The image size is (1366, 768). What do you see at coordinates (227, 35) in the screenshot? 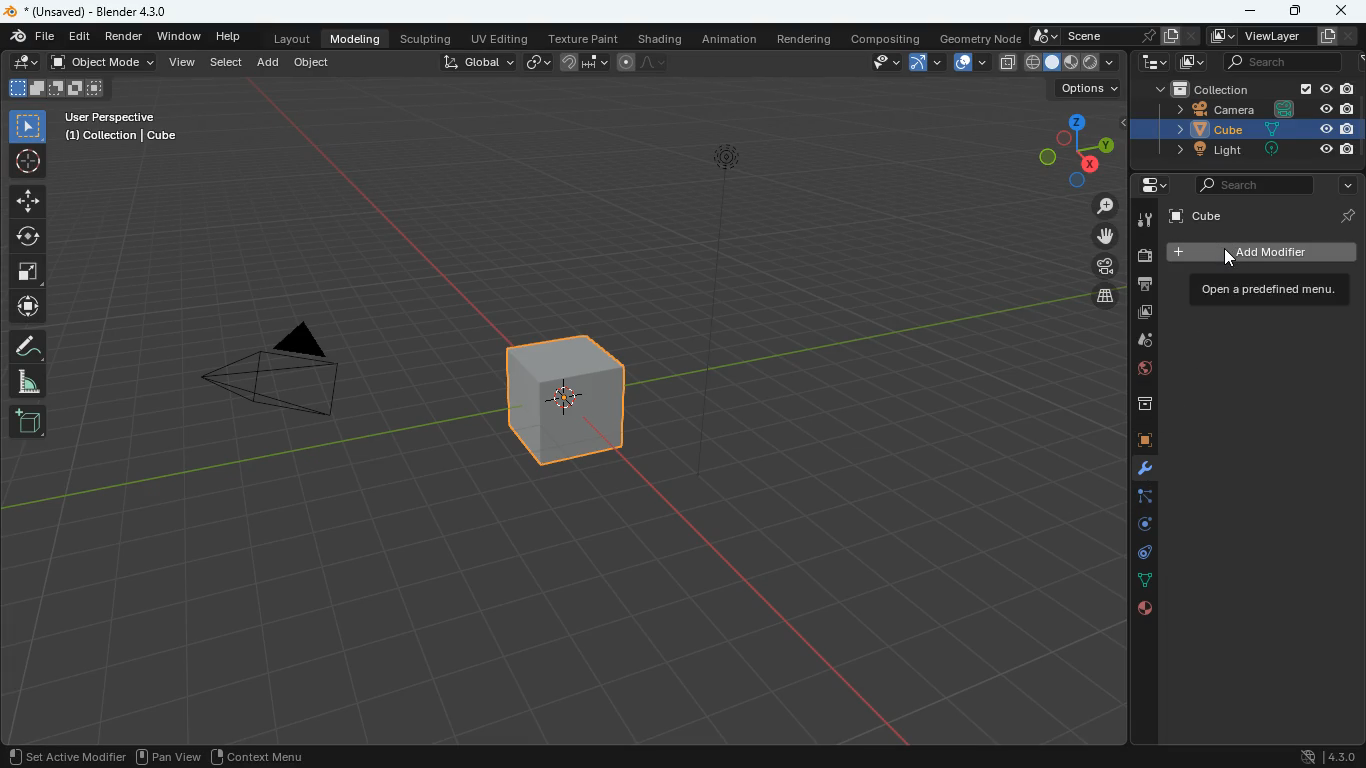
I see `help` at bounding box center [227, 35].